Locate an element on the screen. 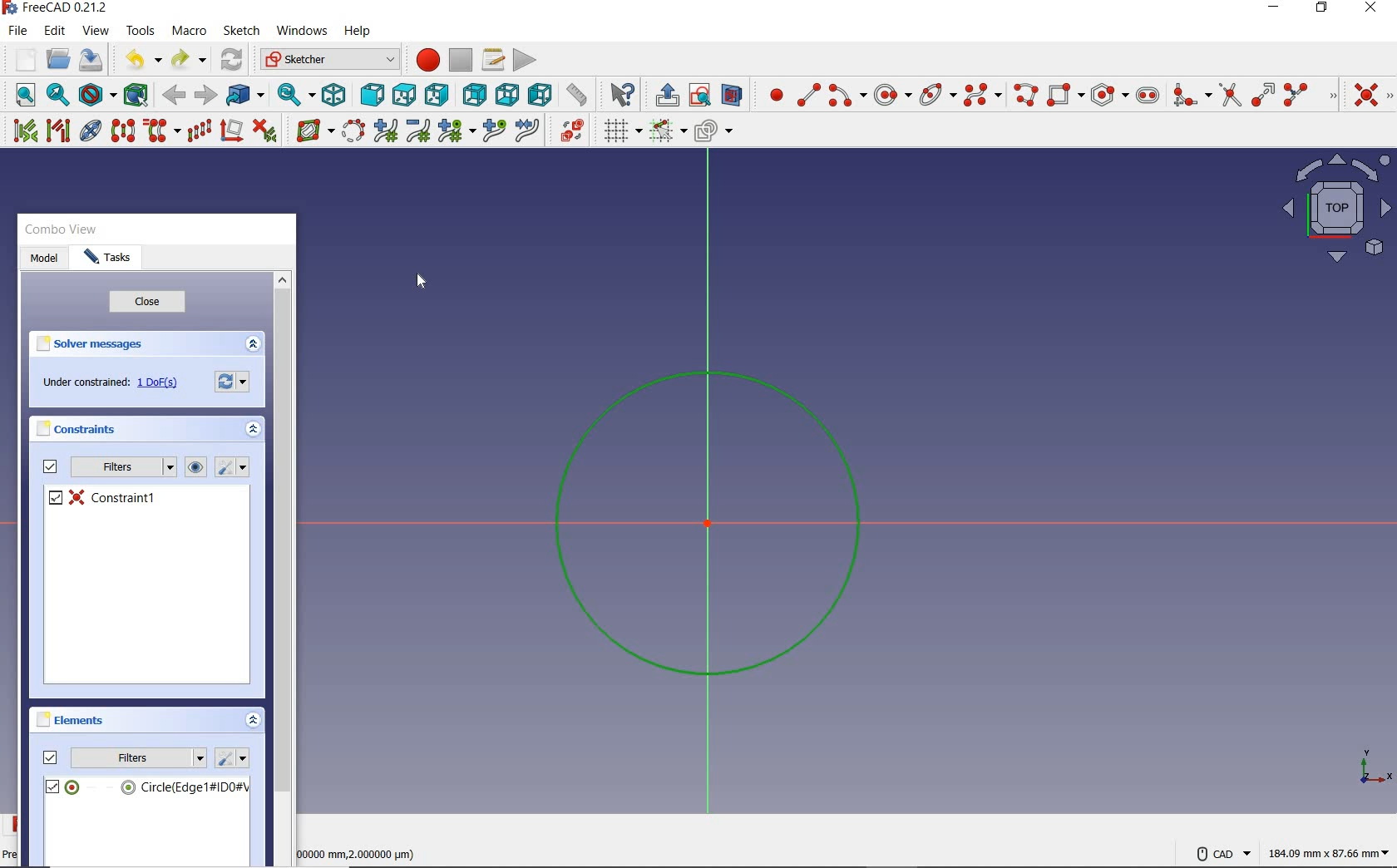  constrain1 is located at coordinates (112, 496).